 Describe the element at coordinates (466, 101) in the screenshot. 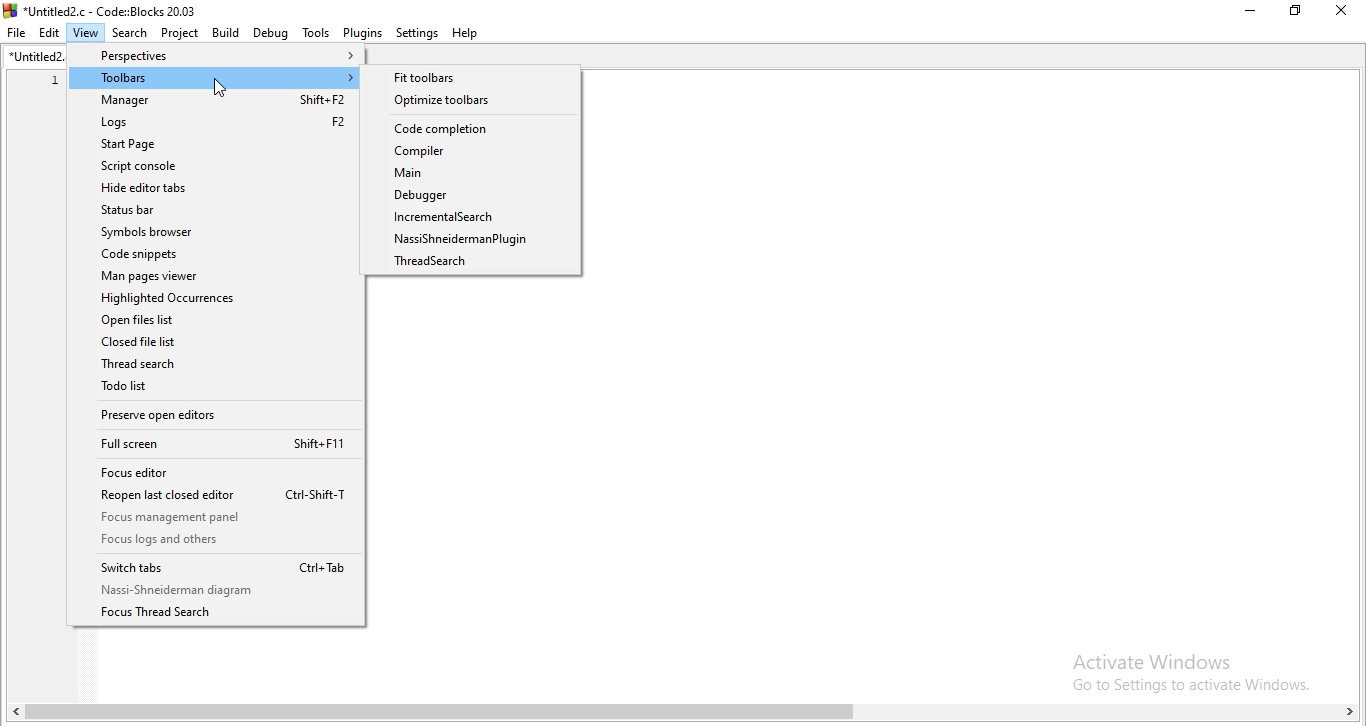

I see `Optimize toolbars` at that location.